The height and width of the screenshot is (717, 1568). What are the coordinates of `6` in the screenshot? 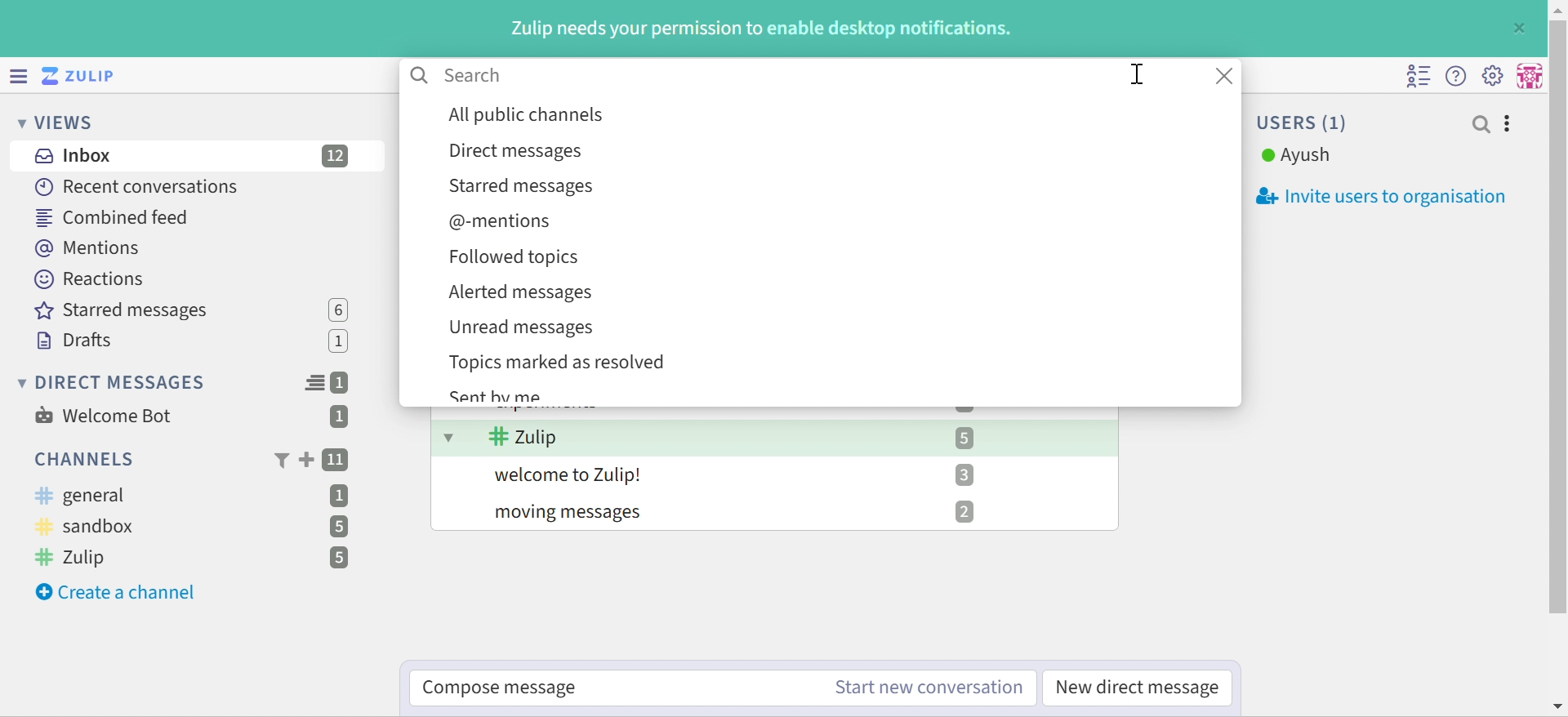 It's located at (338, 310).